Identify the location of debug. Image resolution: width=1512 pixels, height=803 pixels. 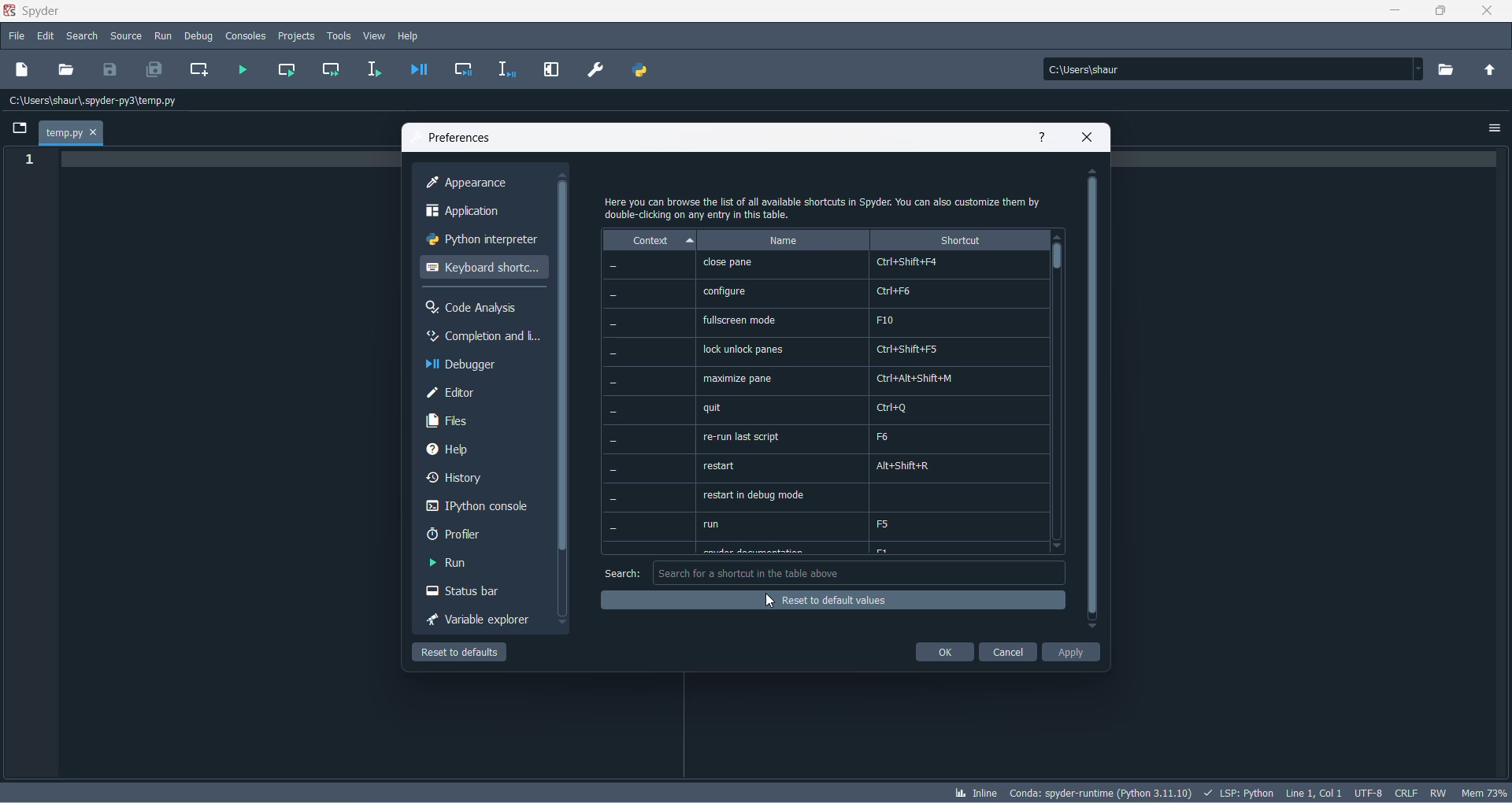
(202, 36).